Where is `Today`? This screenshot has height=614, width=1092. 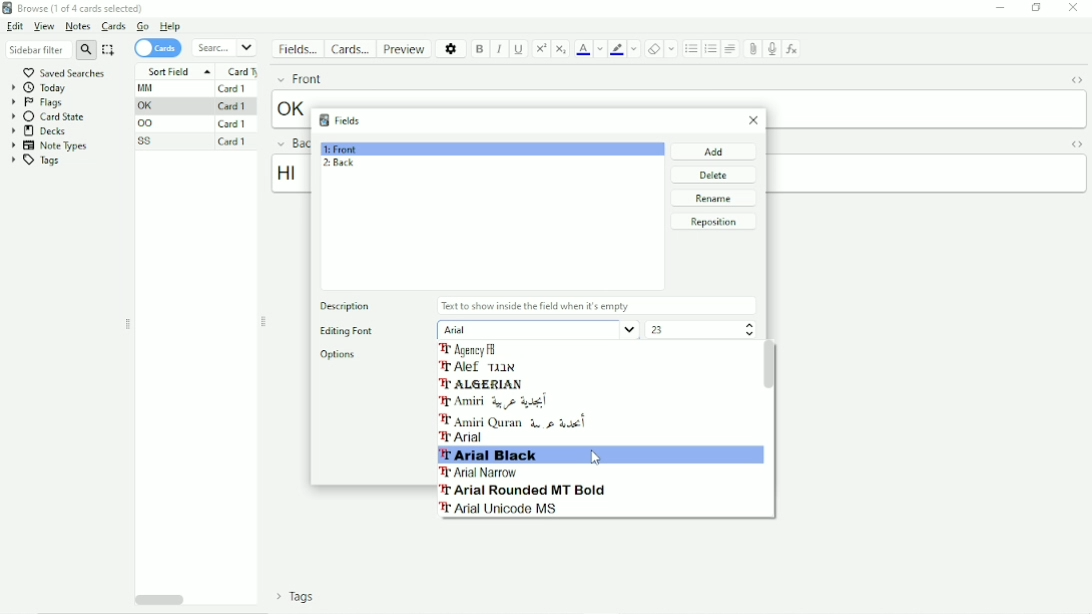 Today is located at coordinates (41, 88).